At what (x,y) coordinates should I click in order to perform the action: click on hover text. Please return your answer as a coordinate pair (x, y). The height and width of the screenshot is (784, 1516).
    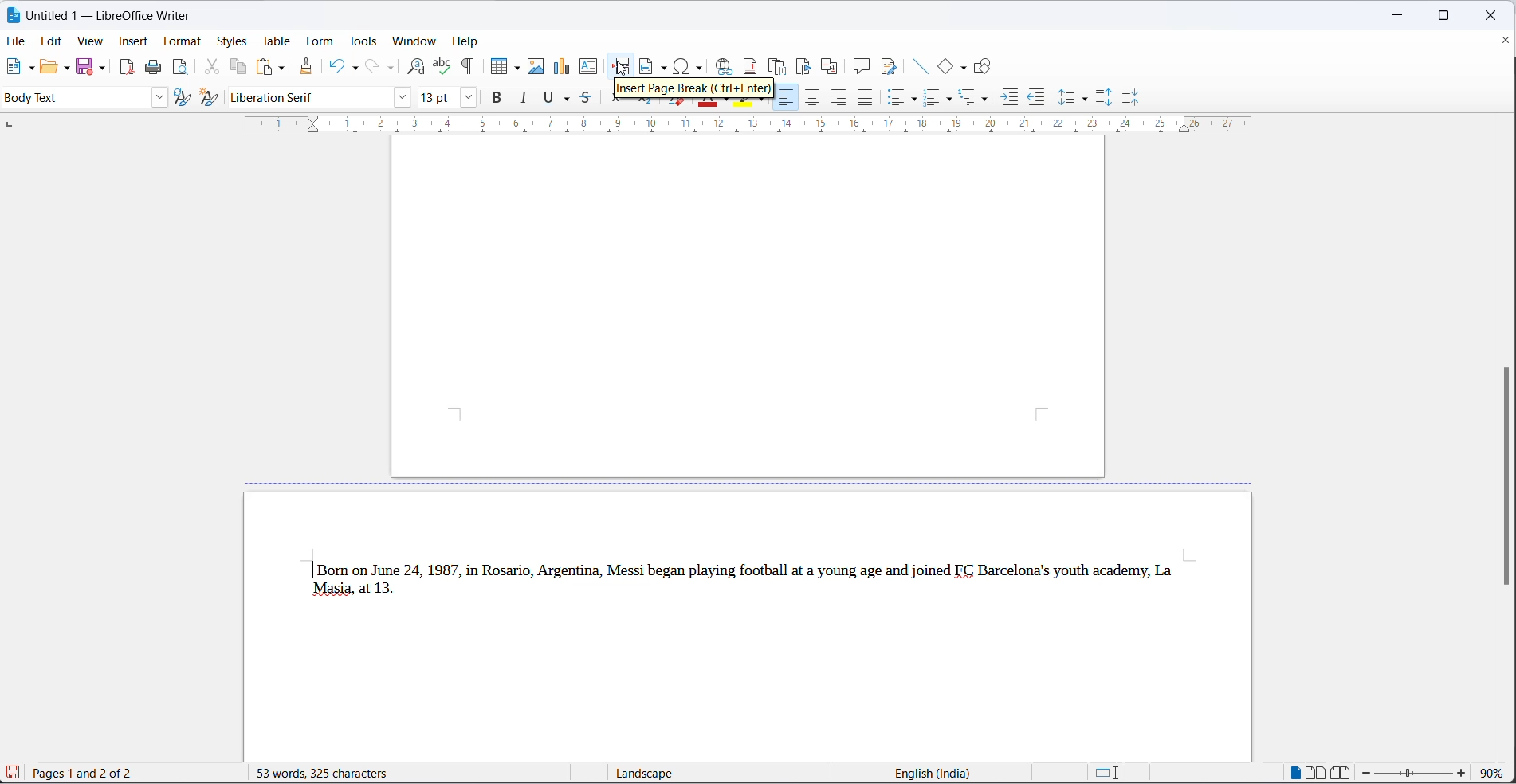
    Looking at the image, I should click on (691, 88).